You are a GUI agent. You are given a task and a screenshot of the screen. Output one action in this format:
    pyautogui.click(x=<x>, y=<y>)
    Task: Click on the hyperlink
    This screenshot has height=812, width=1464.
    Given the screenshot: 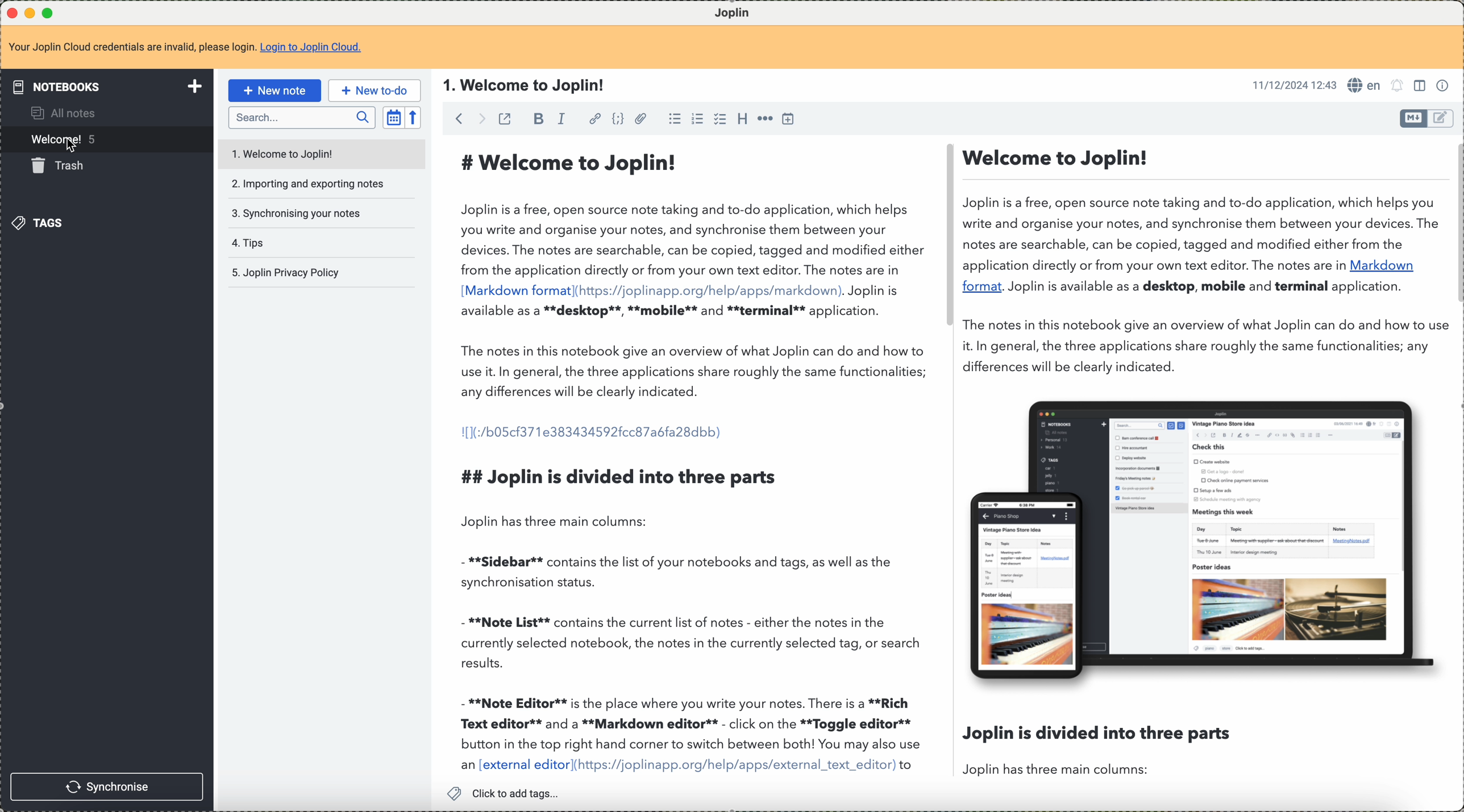 What is the action you would take?
    pyautogui.click(x=595, y=118)
    